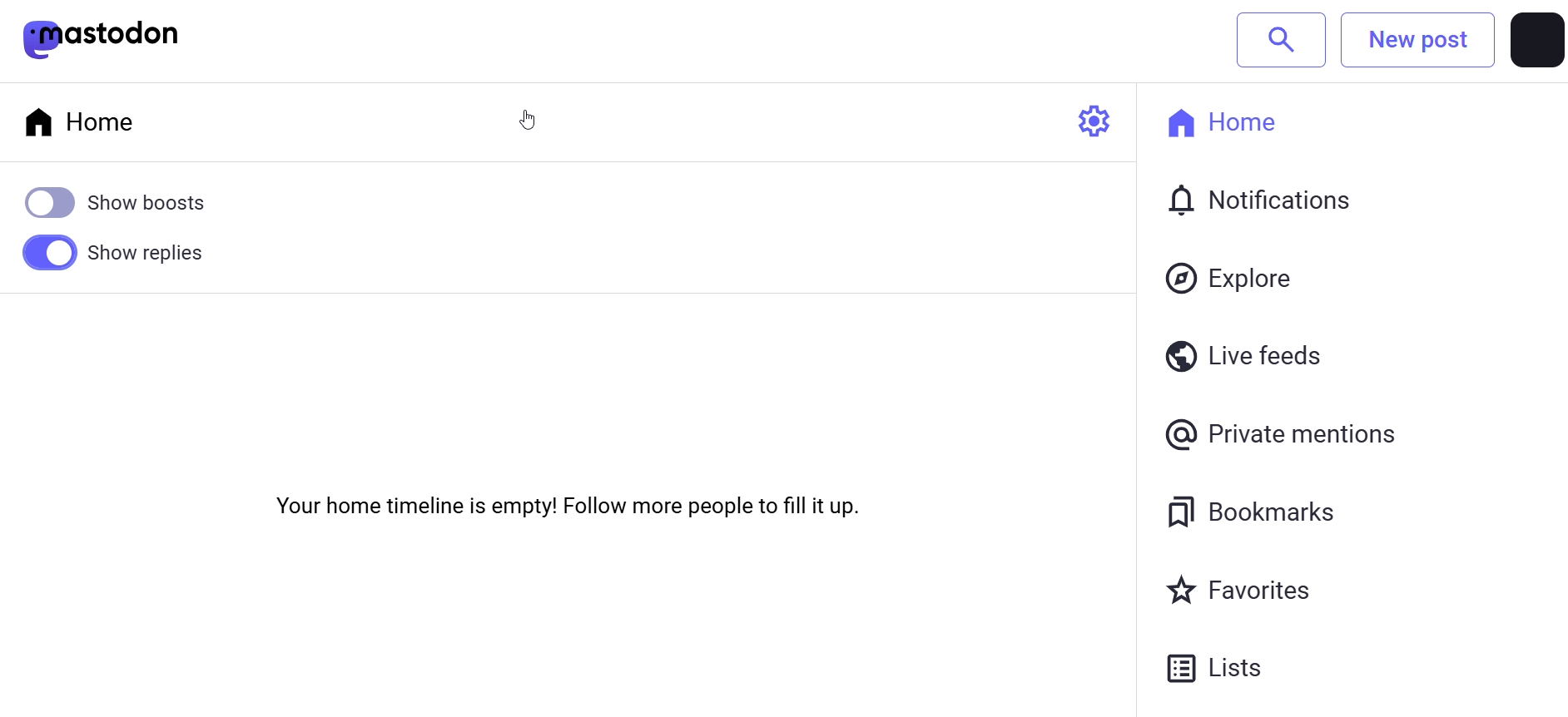 The image size is (1568, 717). I want to click on search, so click(1281, 38).